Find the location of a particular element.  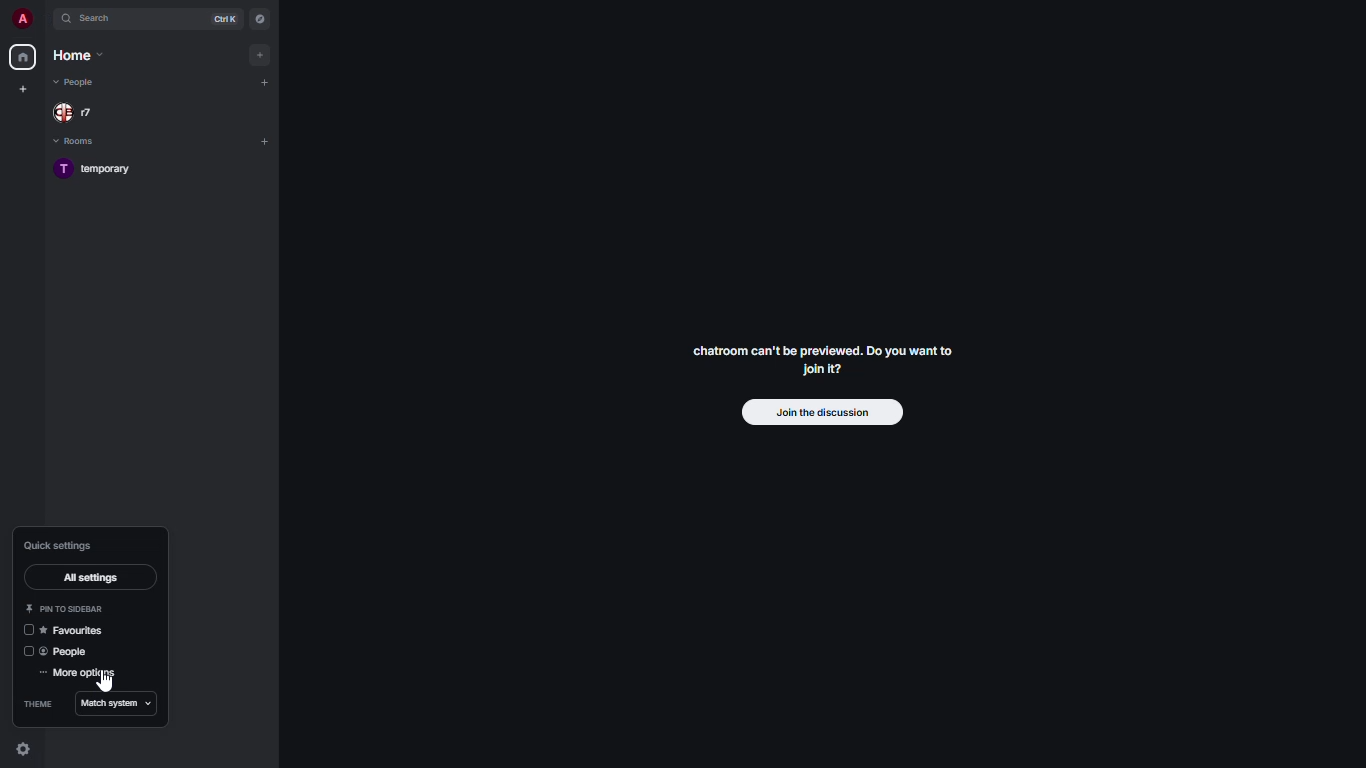

more settings is located at coordinates (78, 673).